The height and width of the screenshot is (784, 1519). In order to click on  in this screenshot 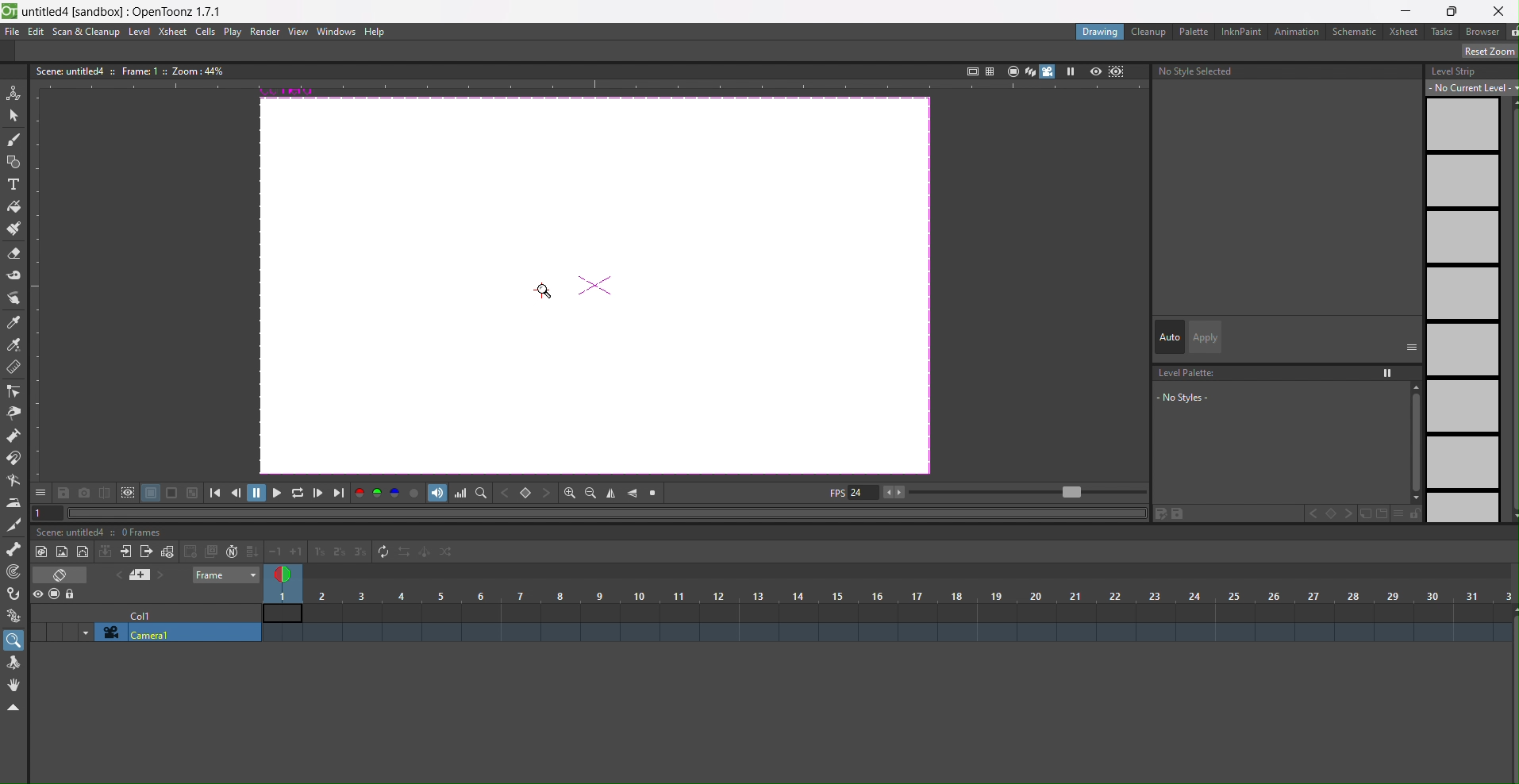, I will do `click(656, 494)`.